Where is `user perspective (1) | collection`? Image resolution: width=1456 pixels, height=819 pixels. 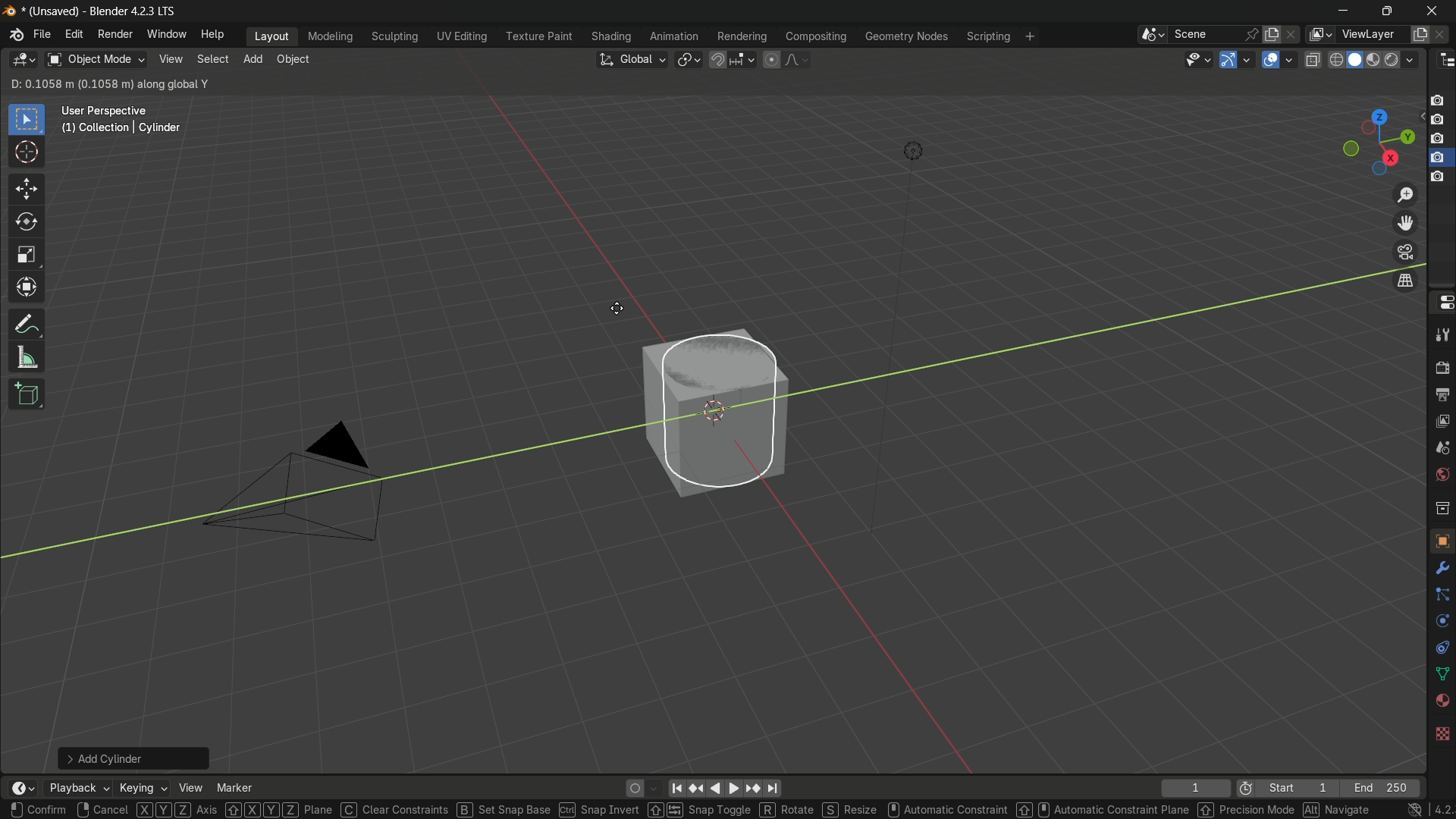 user perspective (1) | collection is located at coordinates (121, 124).